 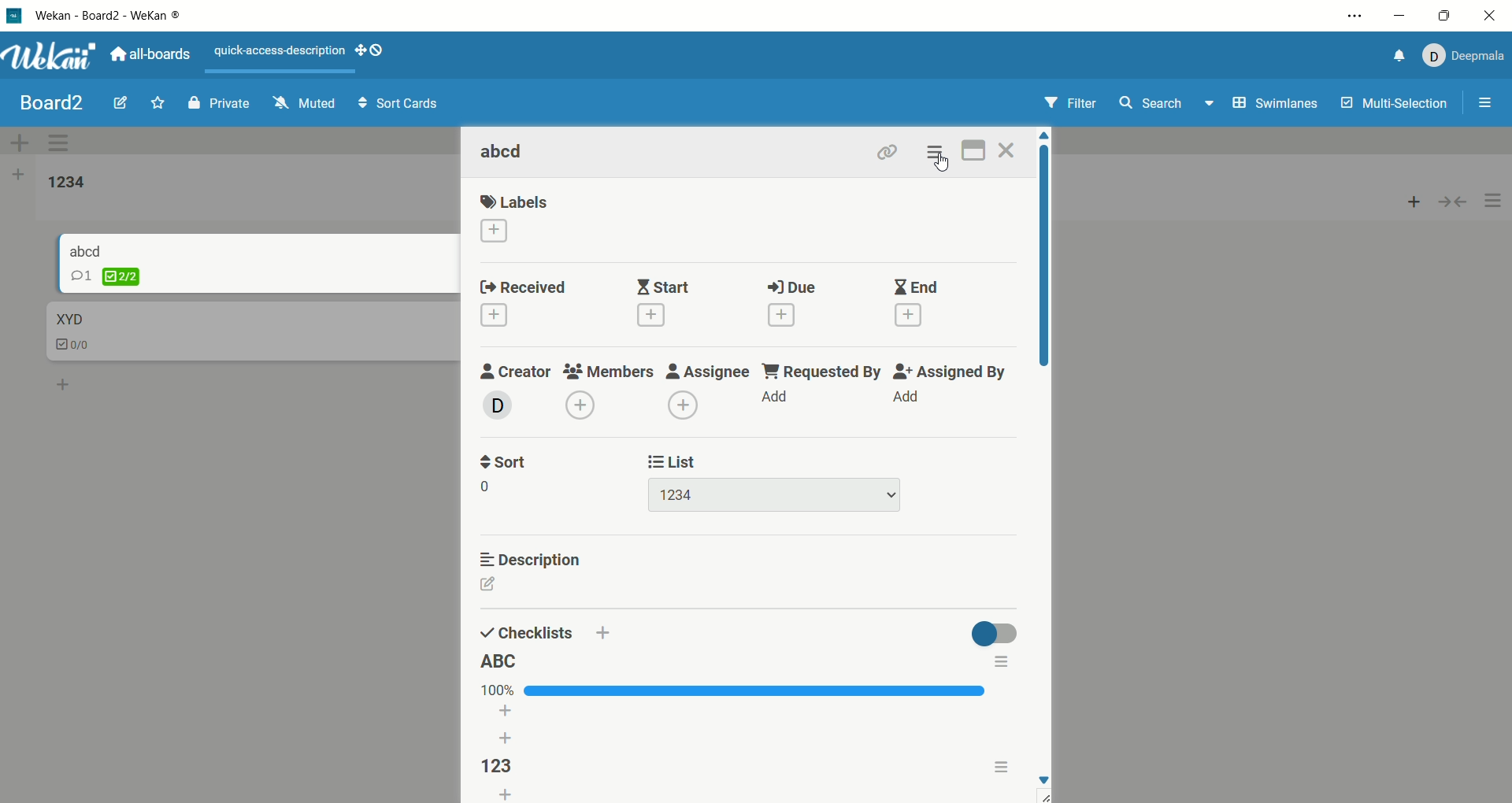 What do you see at coordinates (1407, 202) in the screenshot?
I see `add` at bounding box center [1407, 202].